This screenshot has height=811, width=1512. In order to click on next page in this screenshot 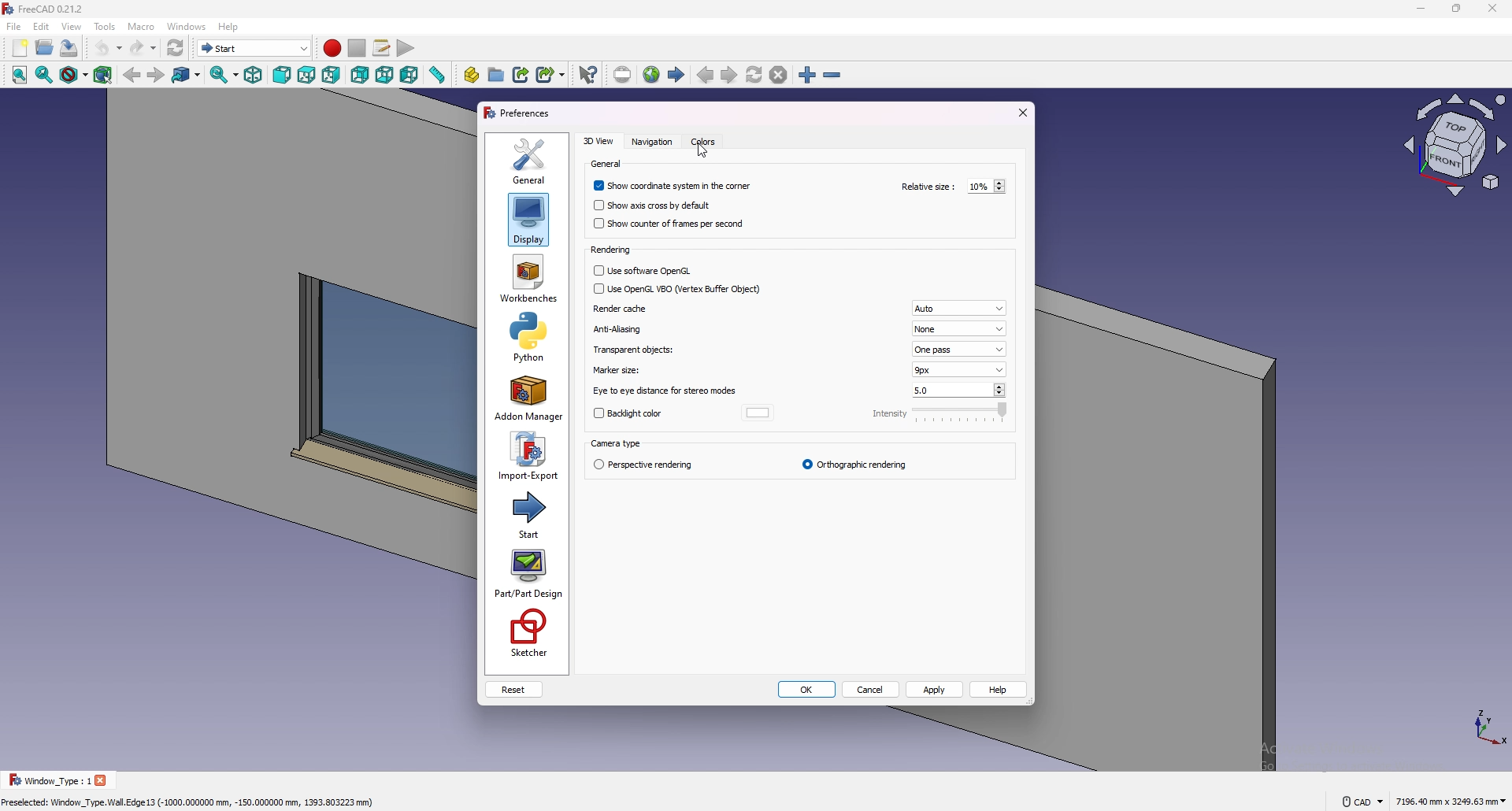, I will do `click(729, 76)`.